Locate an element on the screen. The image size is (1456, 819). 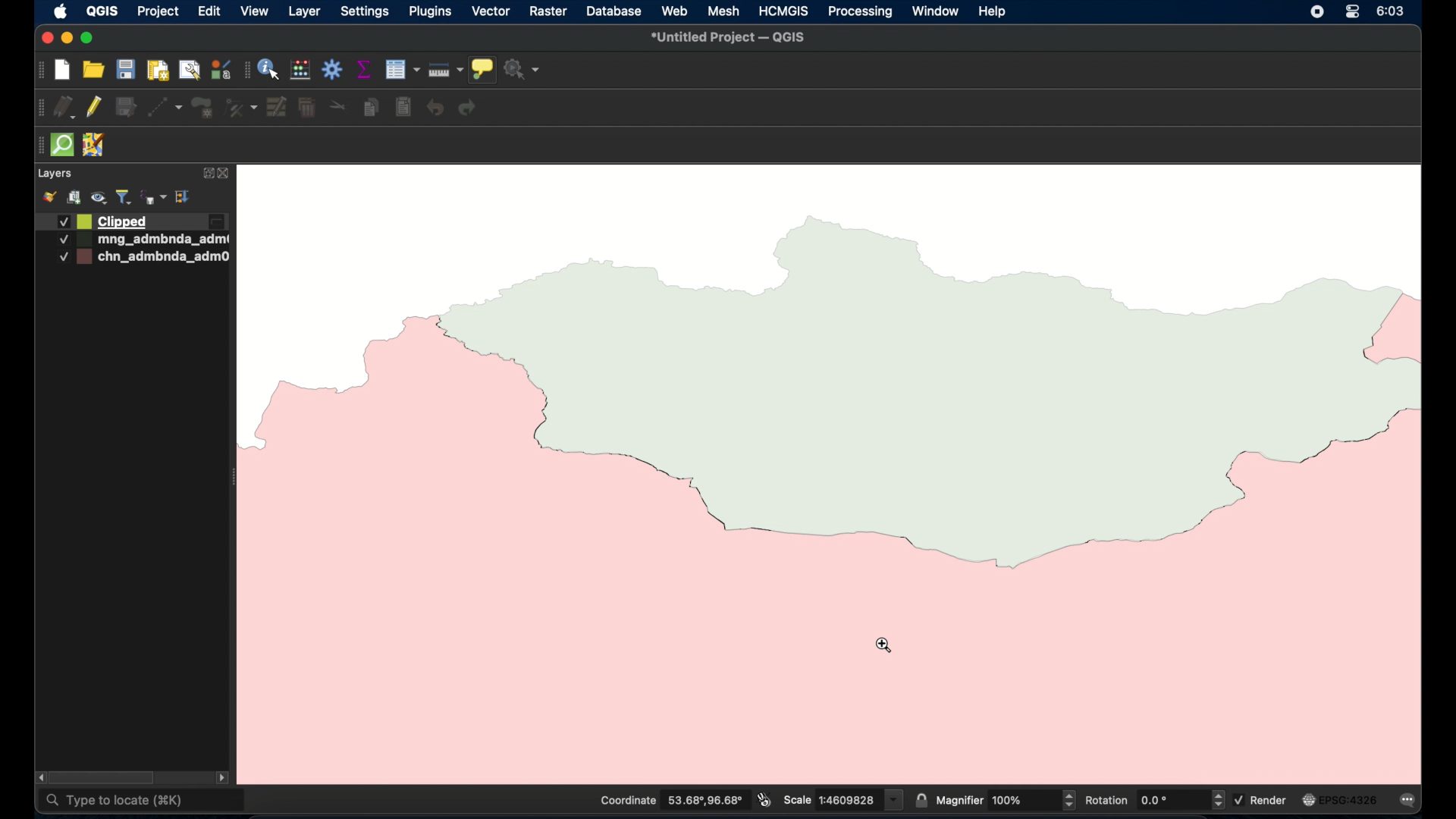
drag handles is located at coordinates (41, 108).